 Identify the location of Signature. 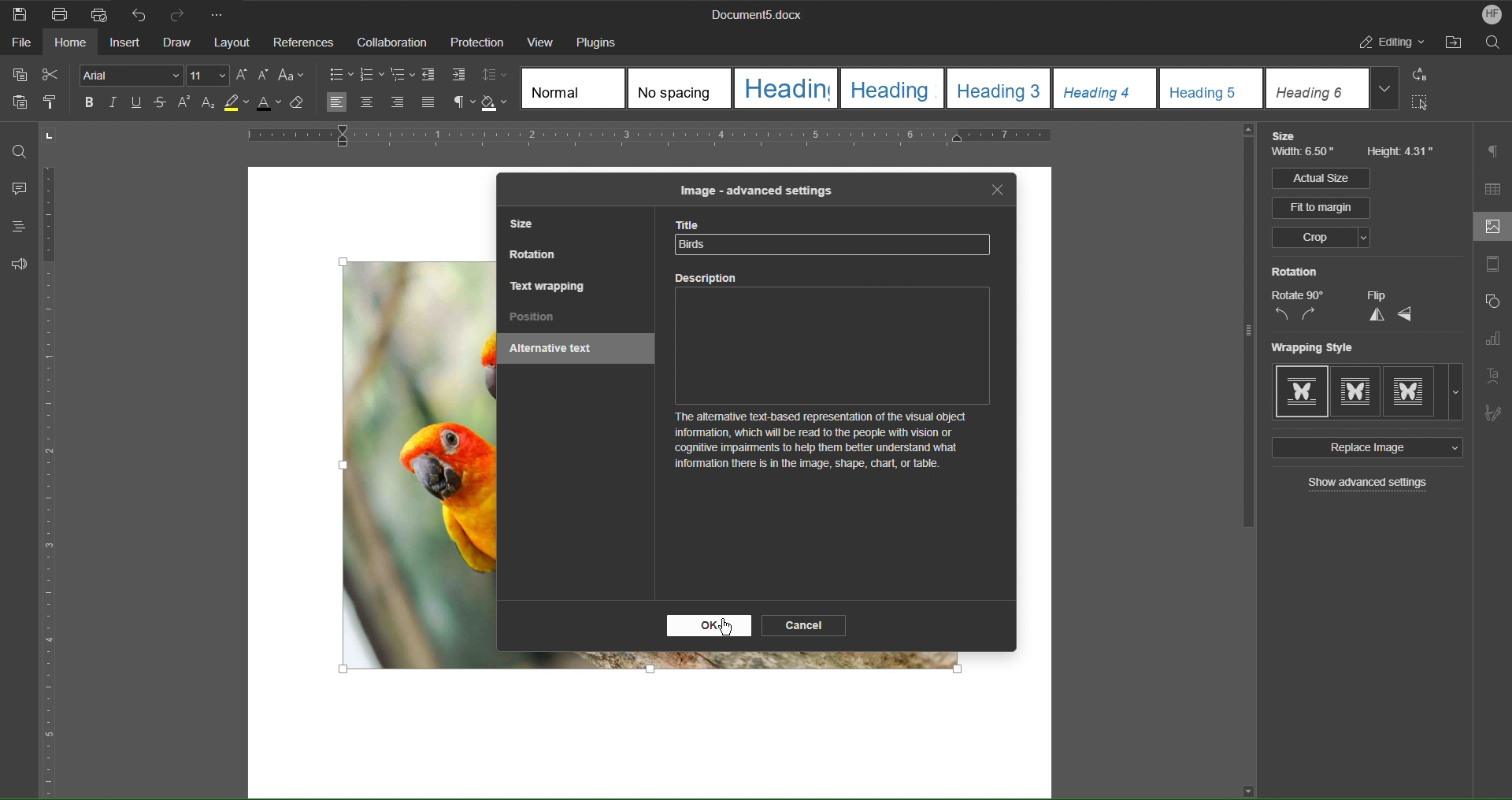
(1493, 409).